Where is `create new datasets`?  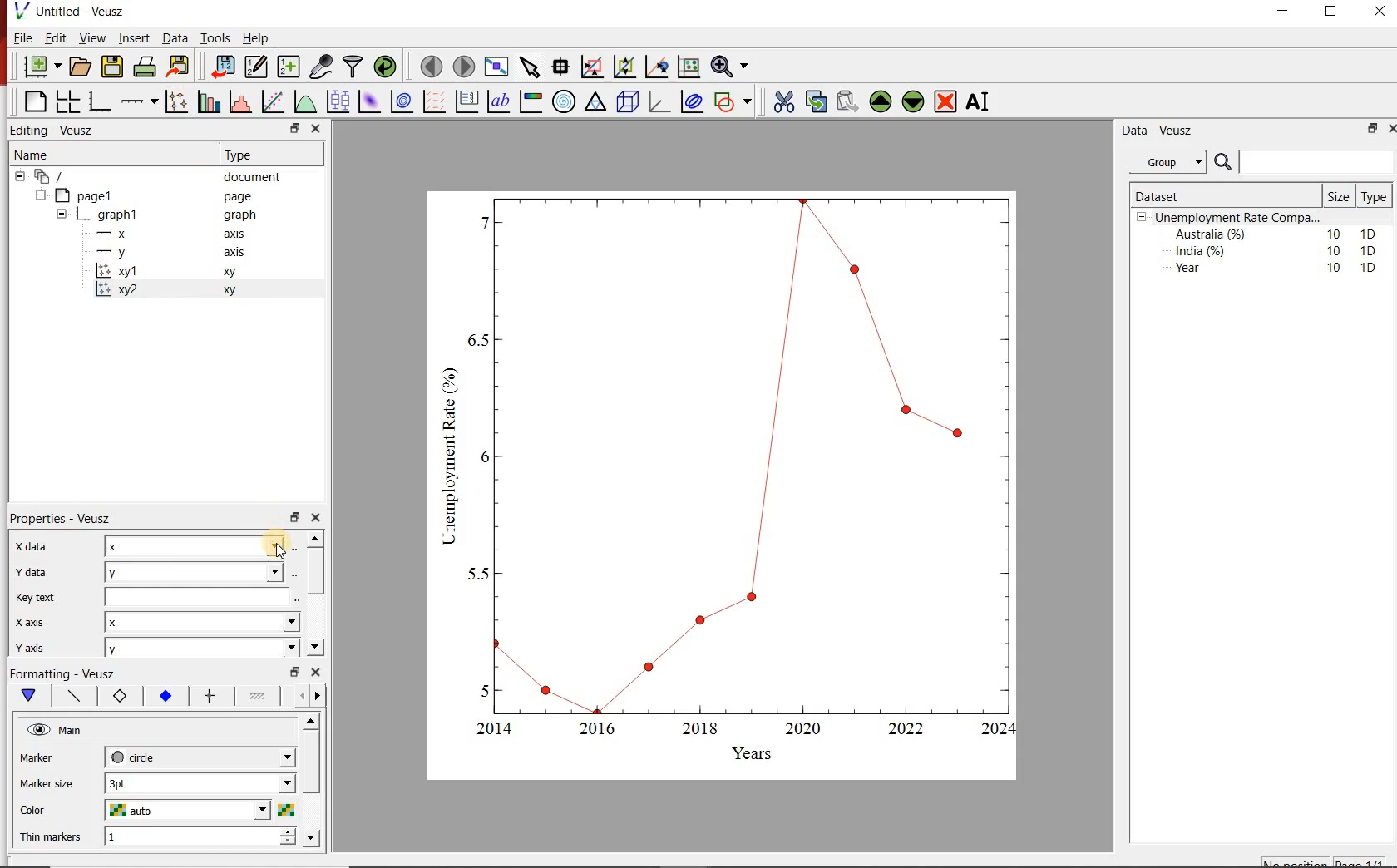 create new datasets is located at coordinates (288, 67).